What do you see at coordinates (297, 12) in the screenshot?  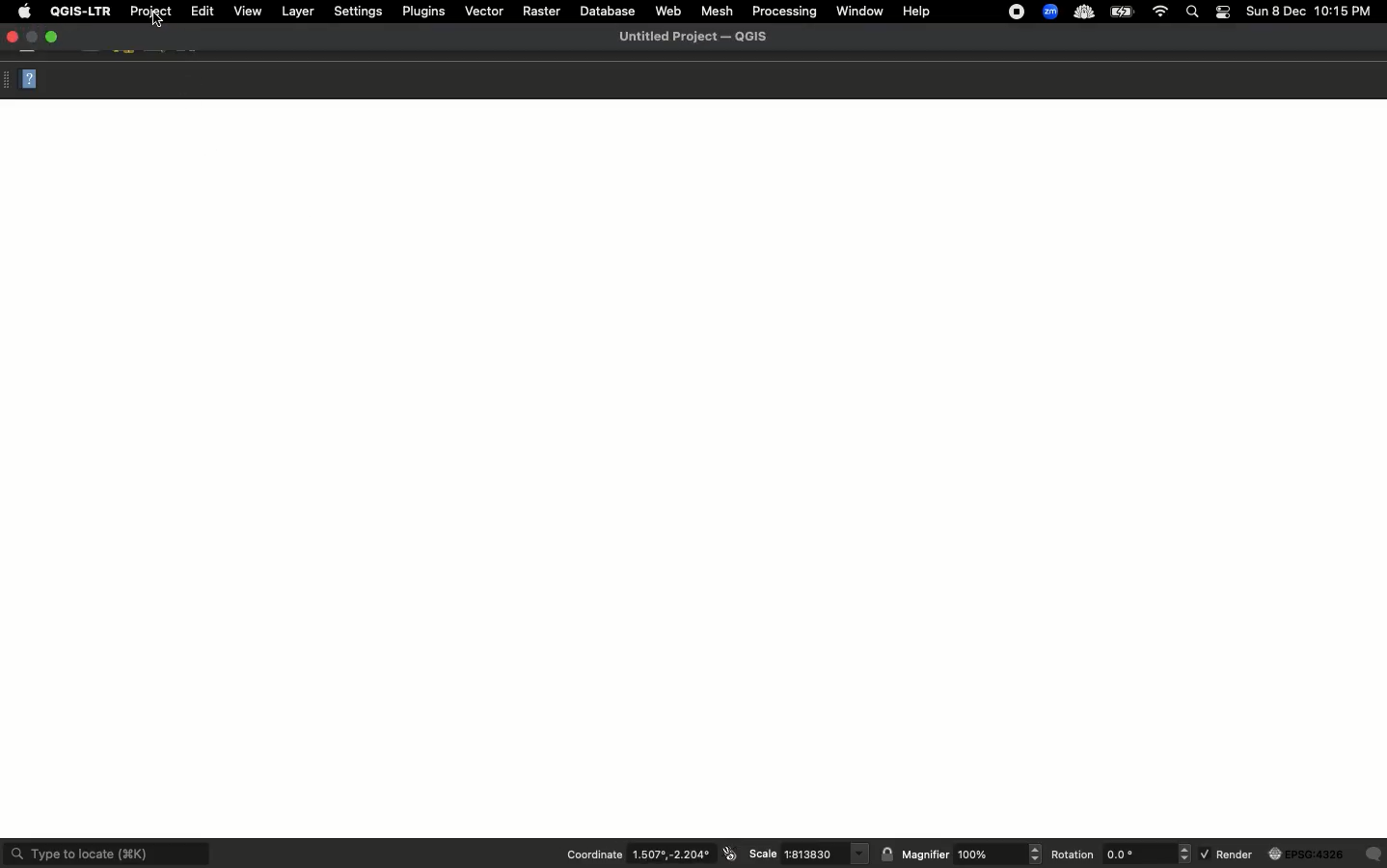 I see `Layer` at bounding box center [297, 12].